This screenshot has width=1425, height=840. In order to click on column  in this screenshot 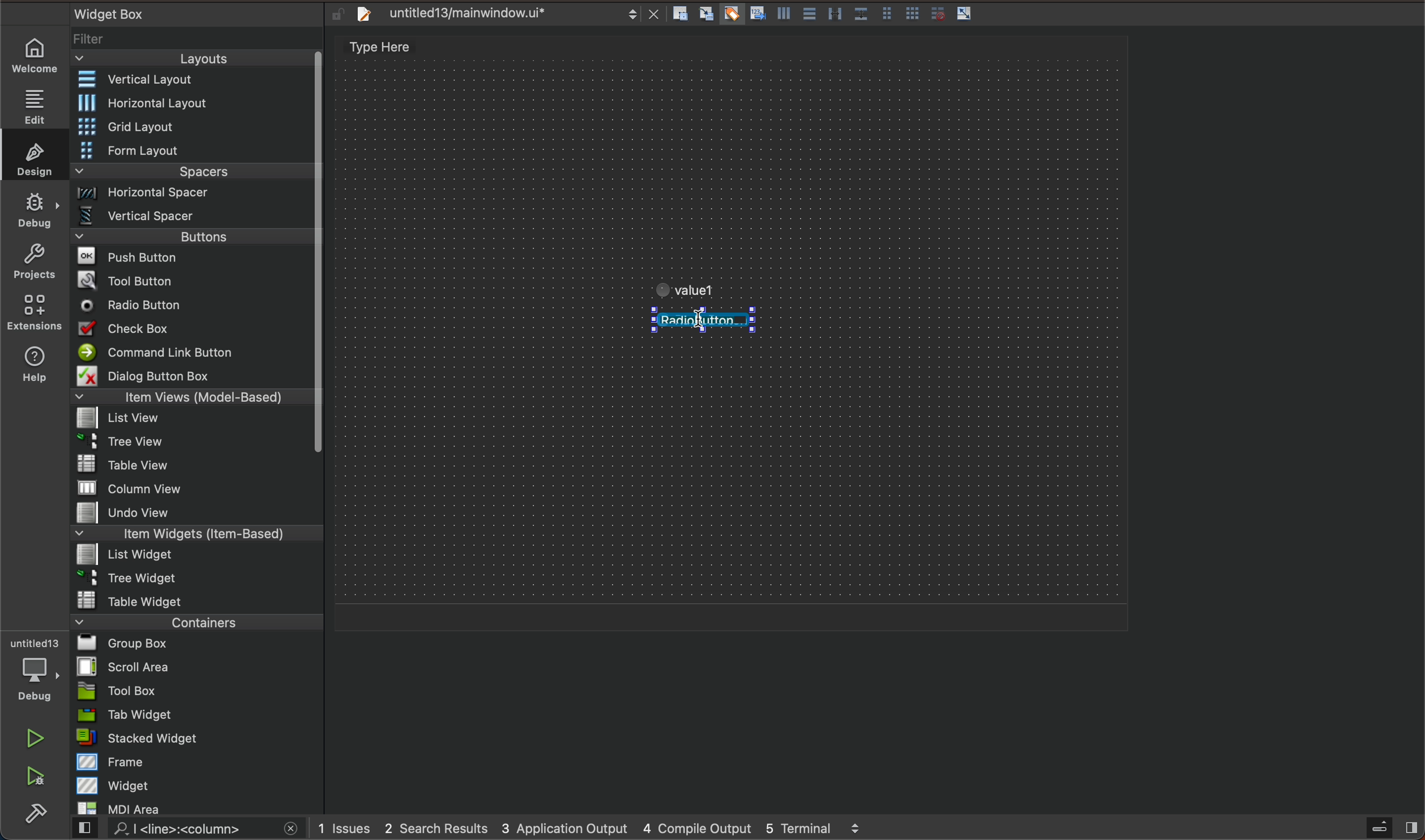, I will do `click(198, 487)`.